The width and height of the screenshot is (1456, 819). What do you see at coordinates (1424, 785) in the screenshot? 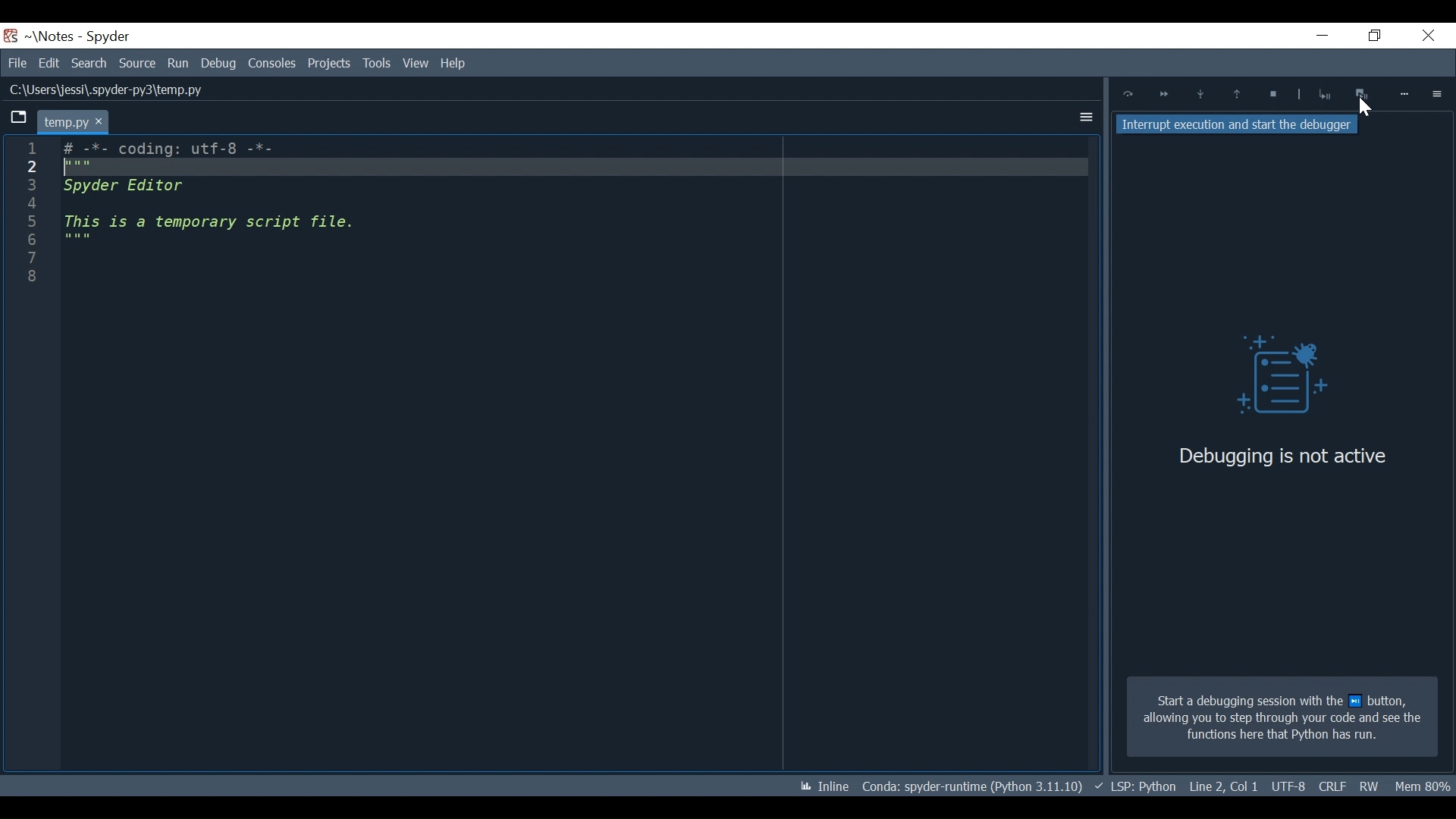
I see `Memory Usage` at bounding box center [1424, 785].